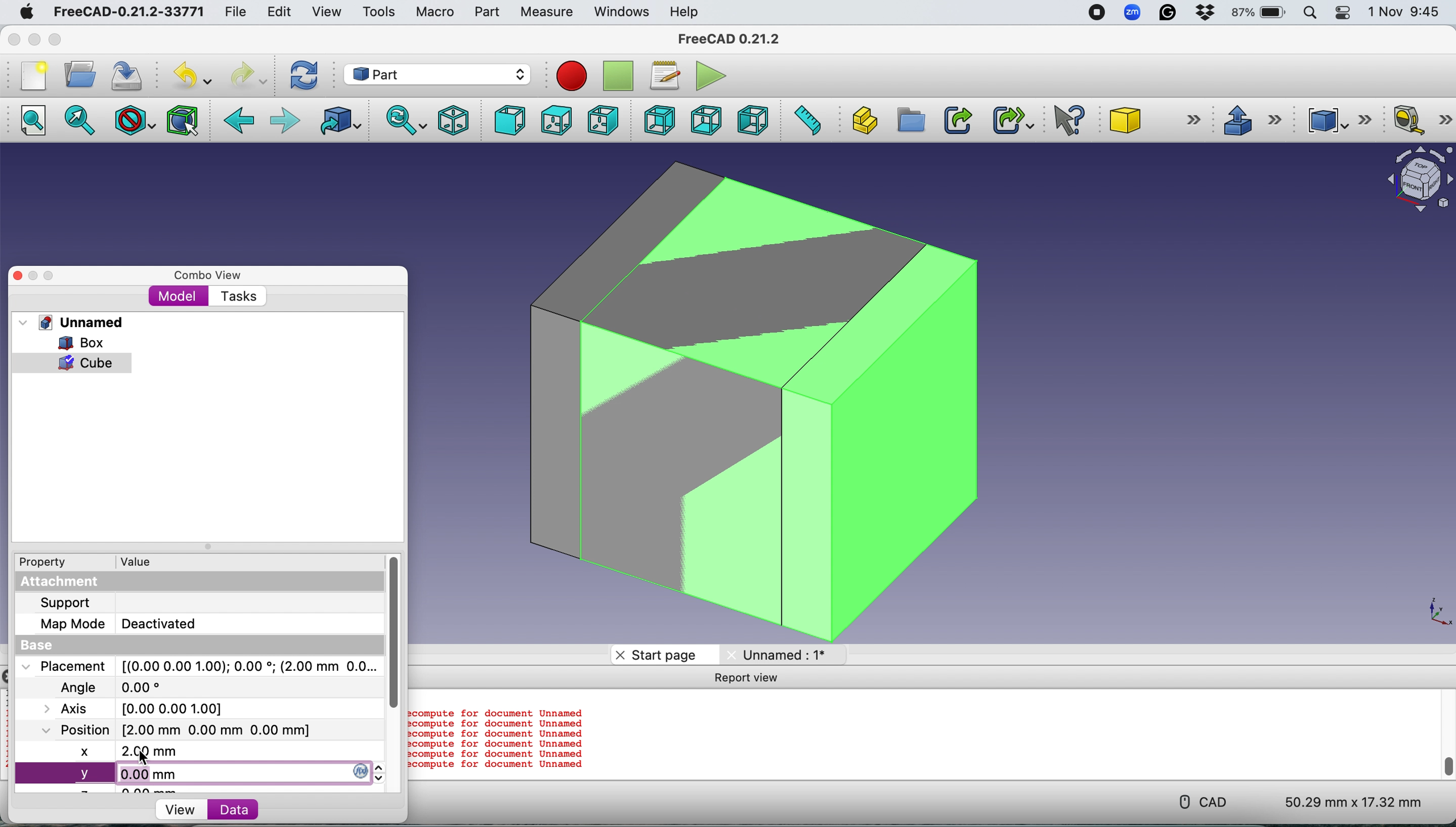  What do you see at coordinates (1197, 800) in the screenshot?
I see `CAD` at bounding box center [1197, 800].